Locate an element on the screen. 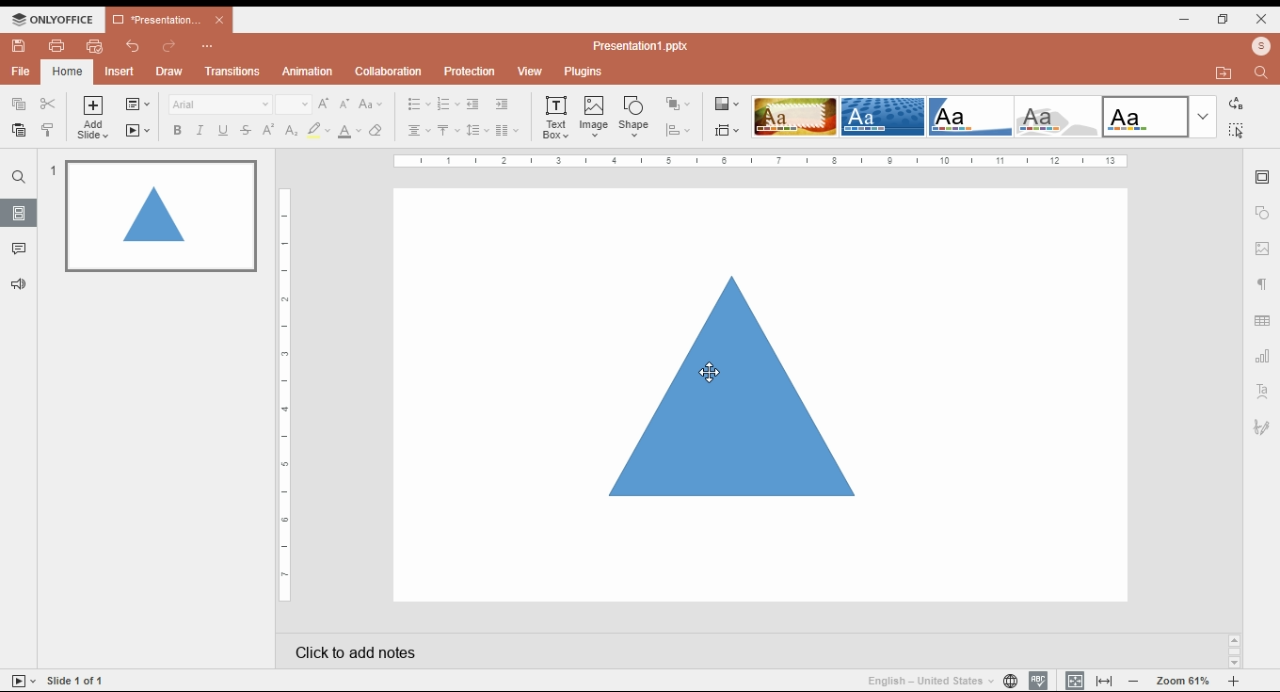 The image size is (1280, 692). color theme 5 is located at coordinates (1145, 116).